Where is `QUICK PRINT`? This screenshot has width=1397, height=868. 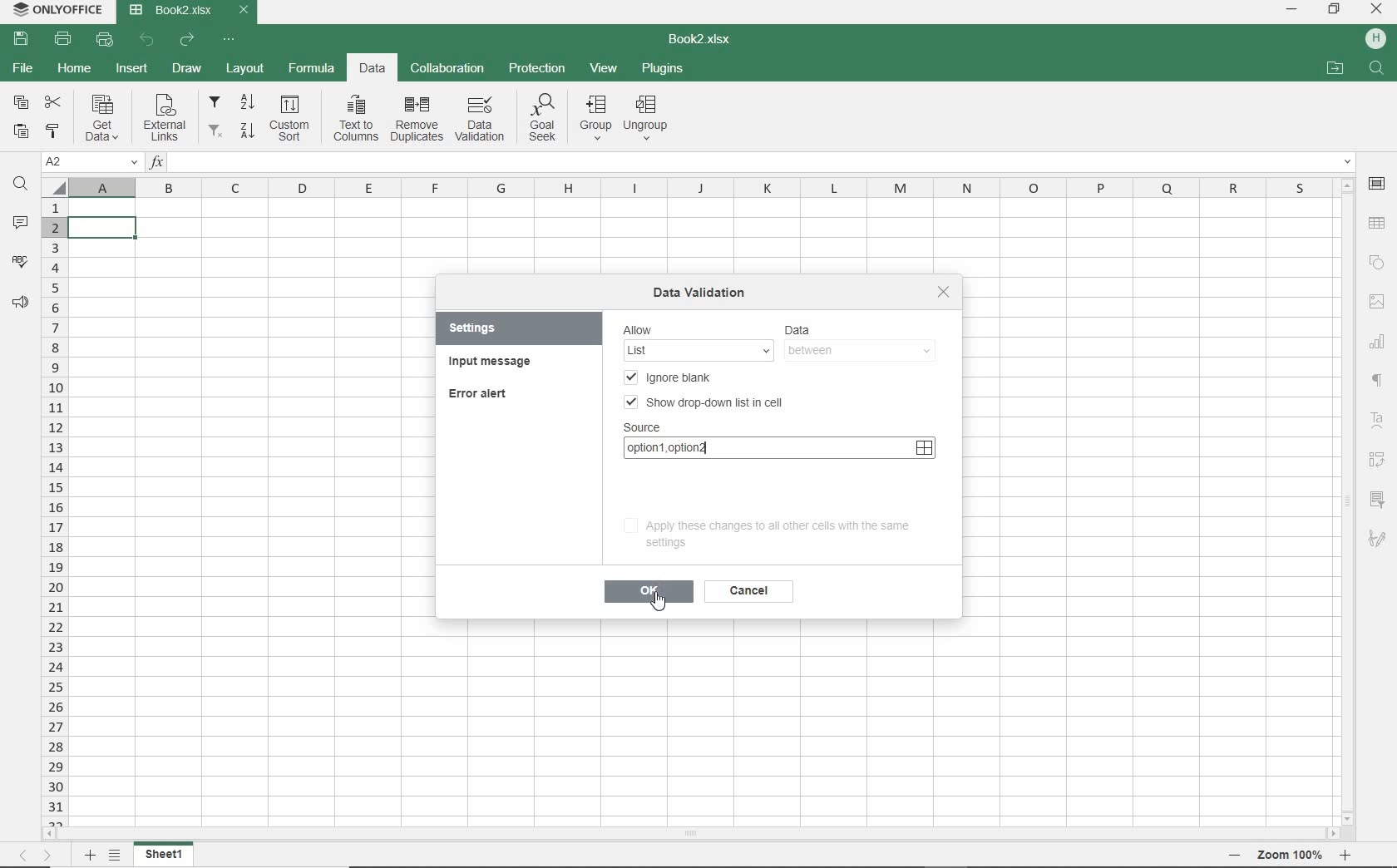
QUICK PRINT is located at coordinates (102, 37).